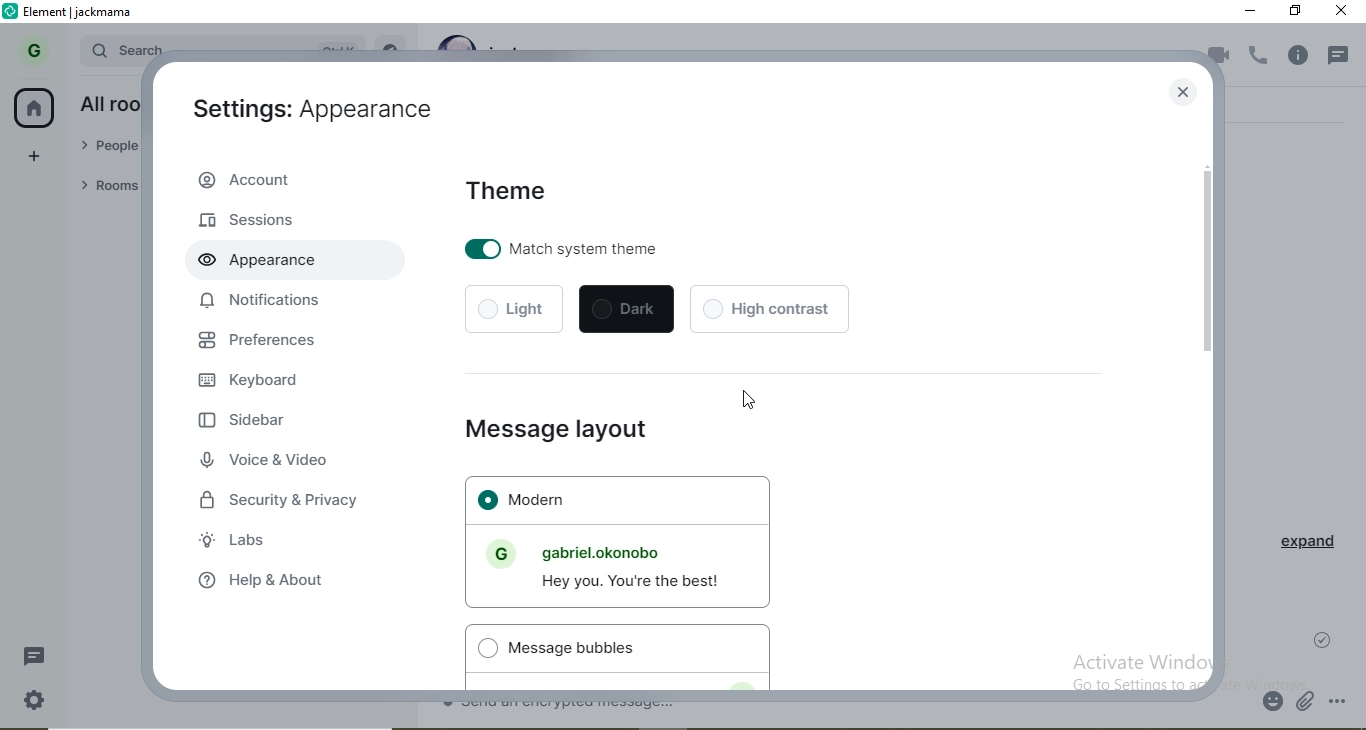 This screenshot has height=730, width=1366. I want to click on keyboard, so click(257, 384).